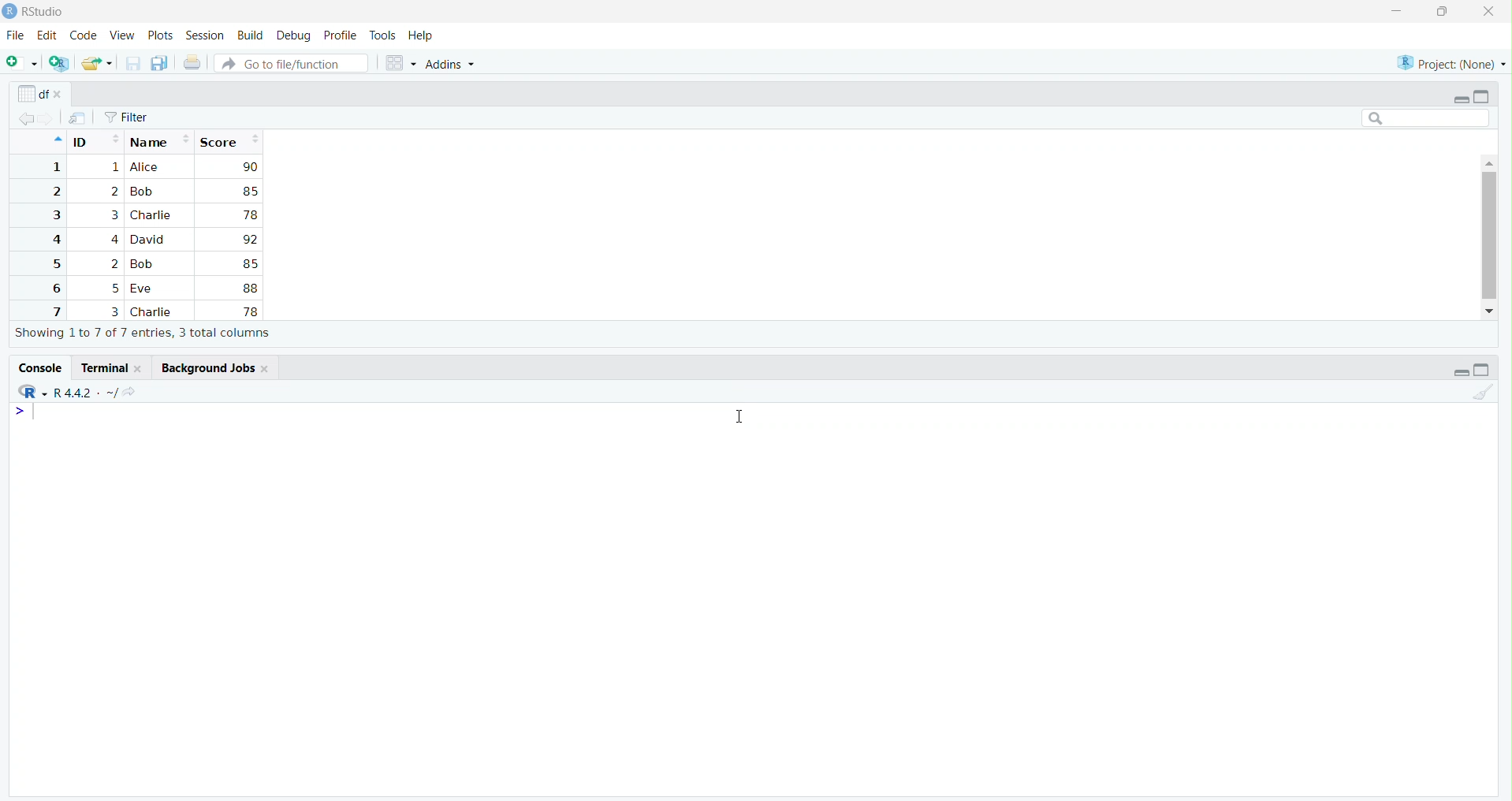 The width and height of the screenshot is (1512, 801). What do you see at coordinates (49, 119) in the screenshot?
I see `forward` at bounding box center [49, 119].